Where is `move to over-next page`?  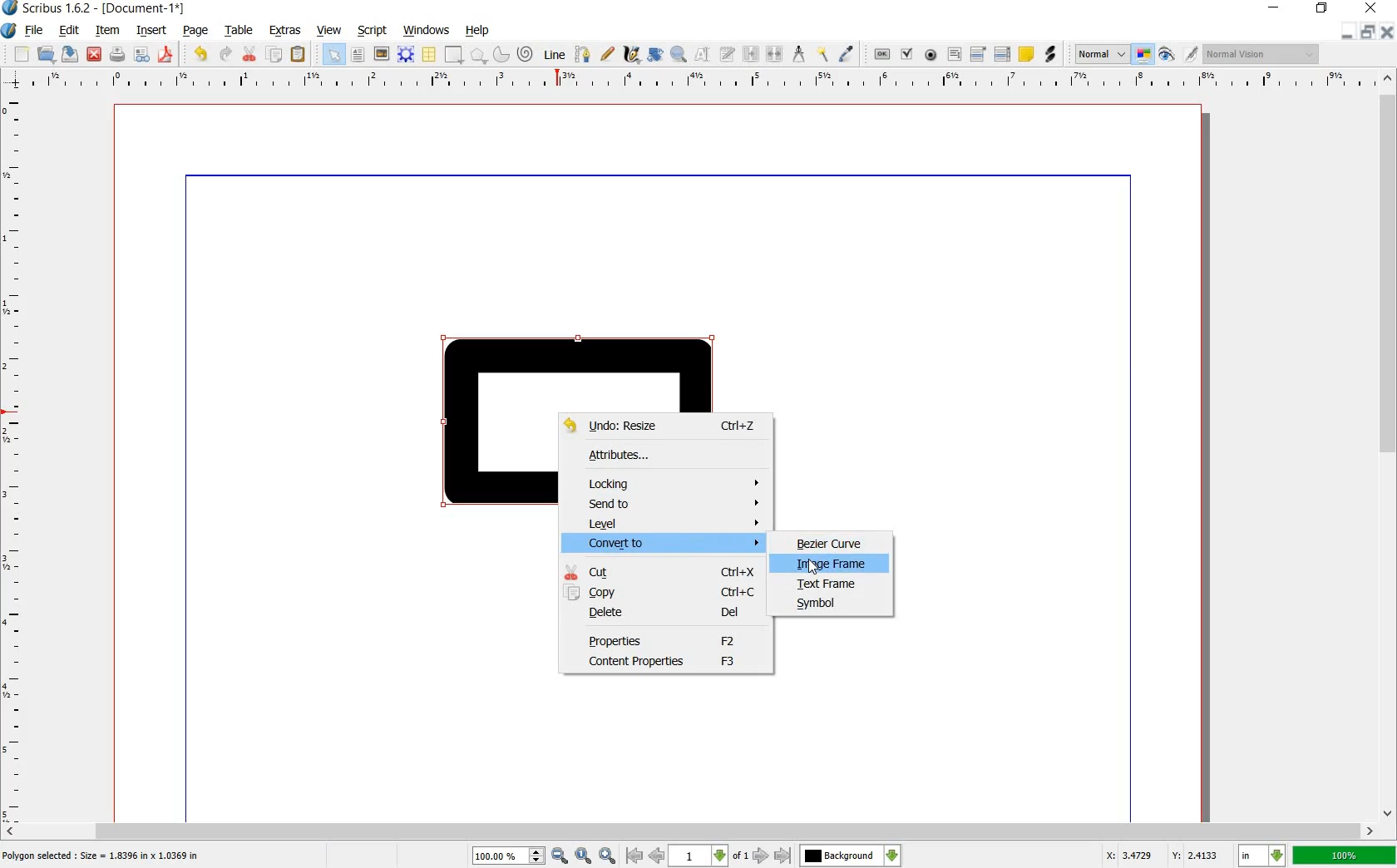 move to over-next page is located at coordinates (786, 857).